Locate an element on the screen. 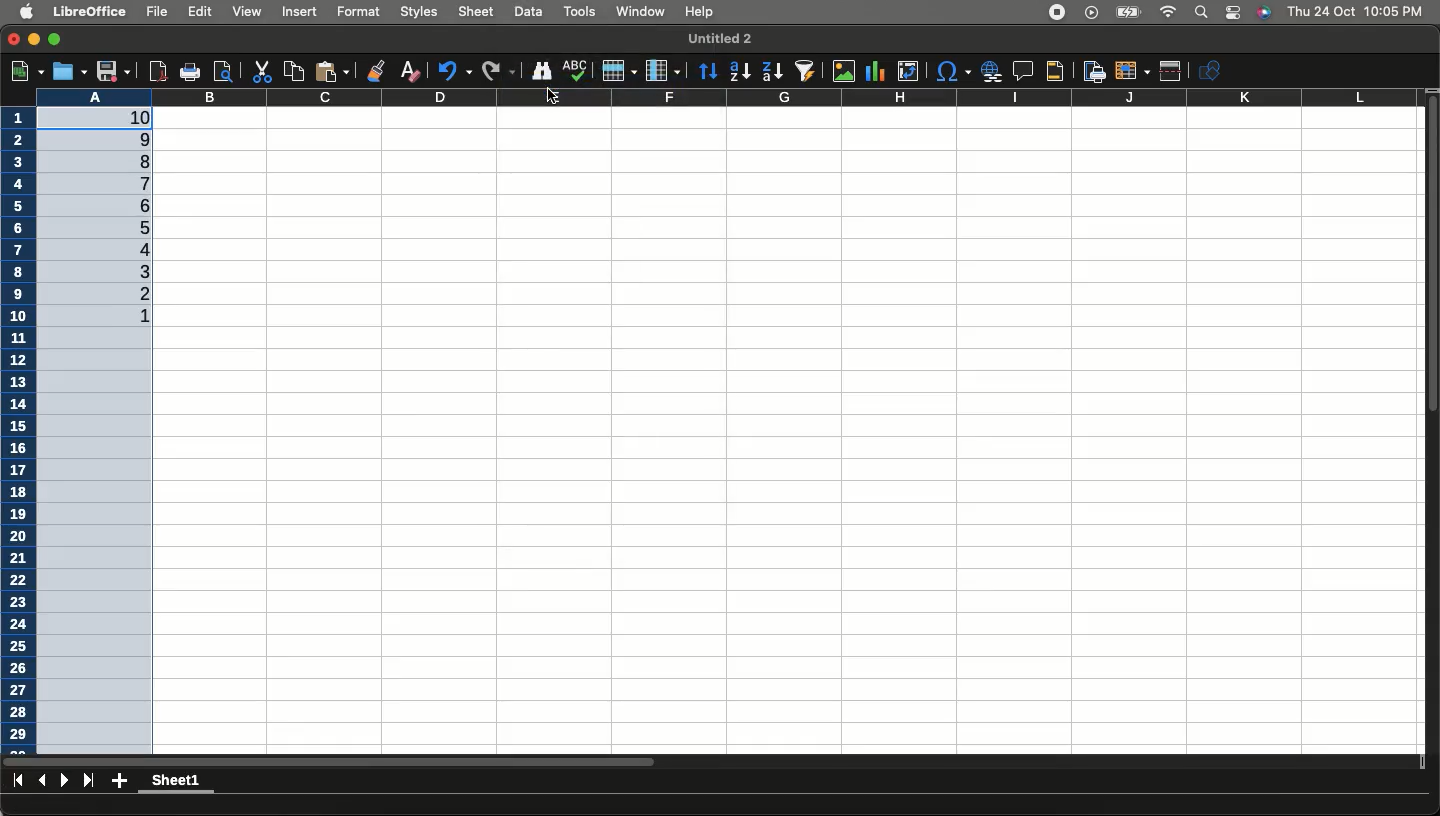 This screenshot has height=816, width=1440. Show draw functions is located at coordinates (1213, 70).